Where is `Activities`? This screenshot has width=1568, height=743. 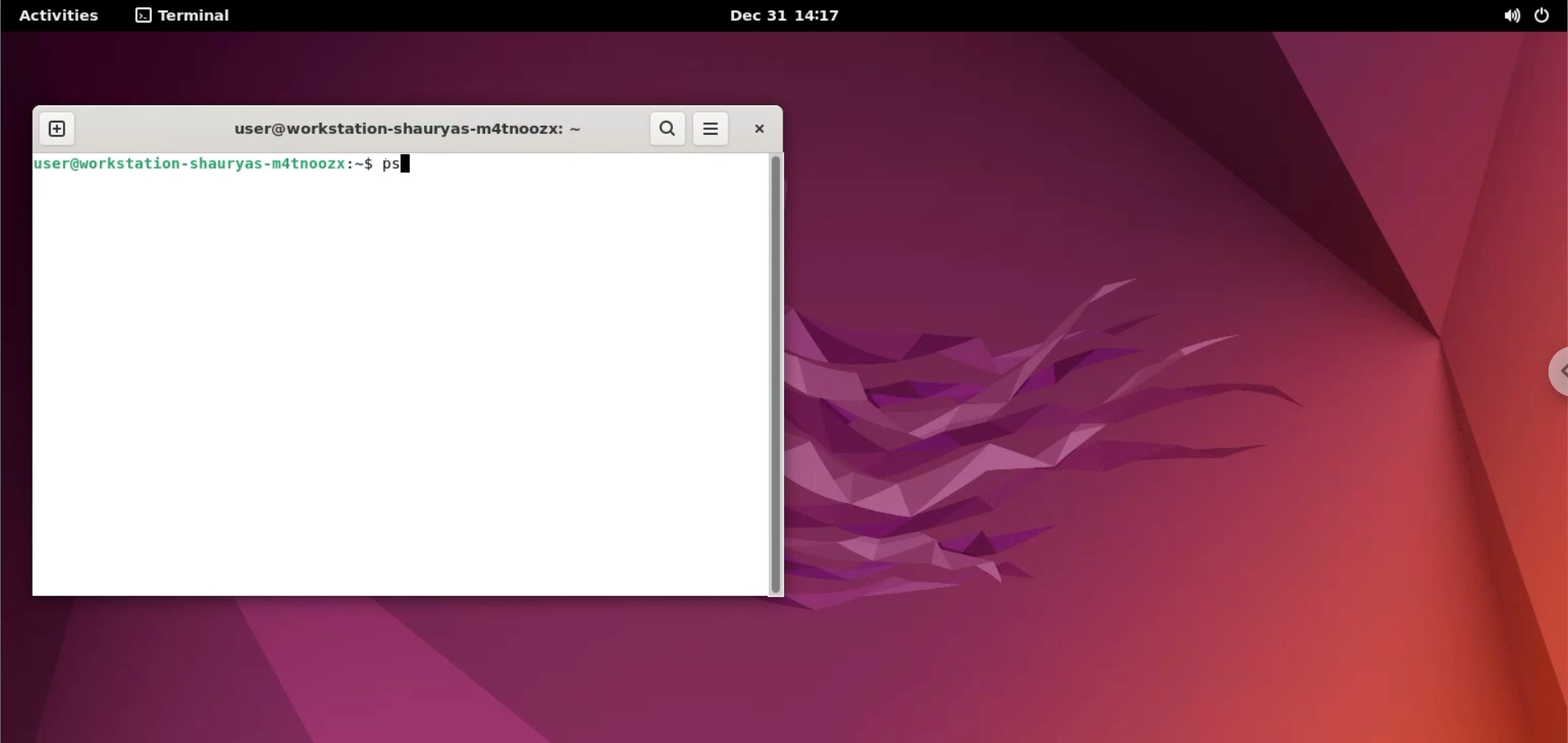
Activities is located at coordinates (60, 16).